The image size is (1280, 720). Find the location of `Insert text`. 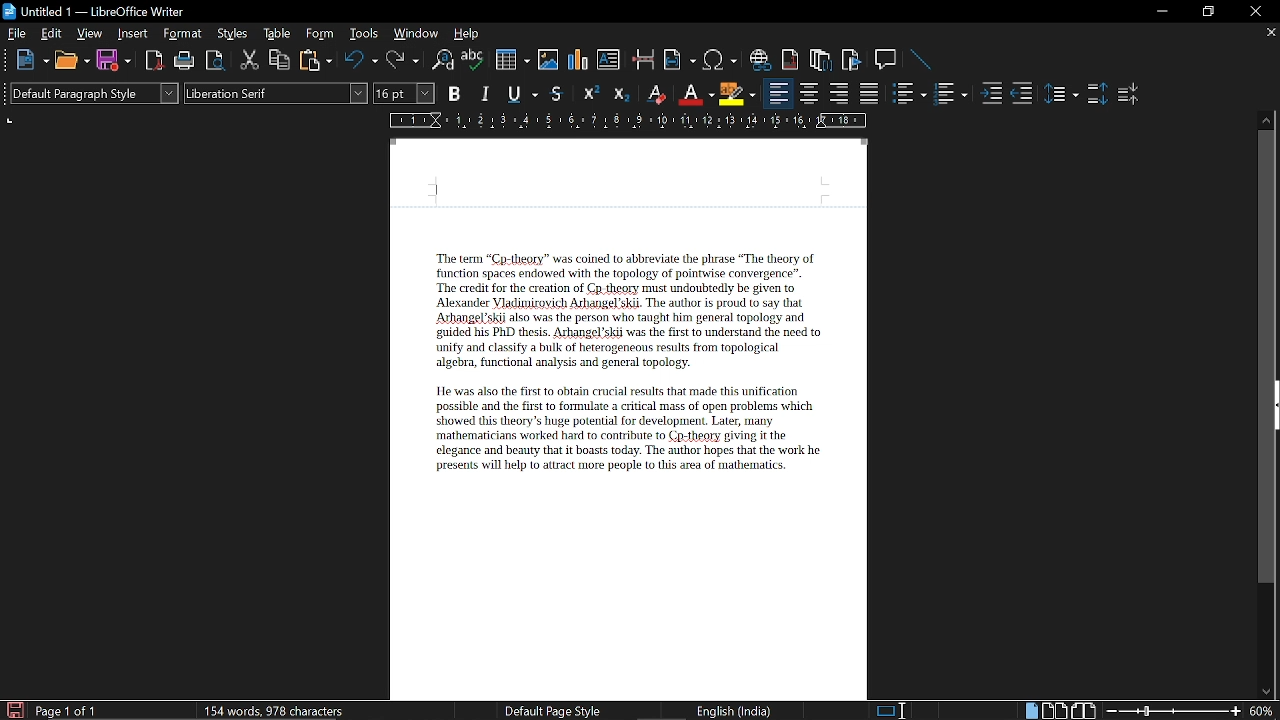

Insert text is located at coordinates (608, 59).